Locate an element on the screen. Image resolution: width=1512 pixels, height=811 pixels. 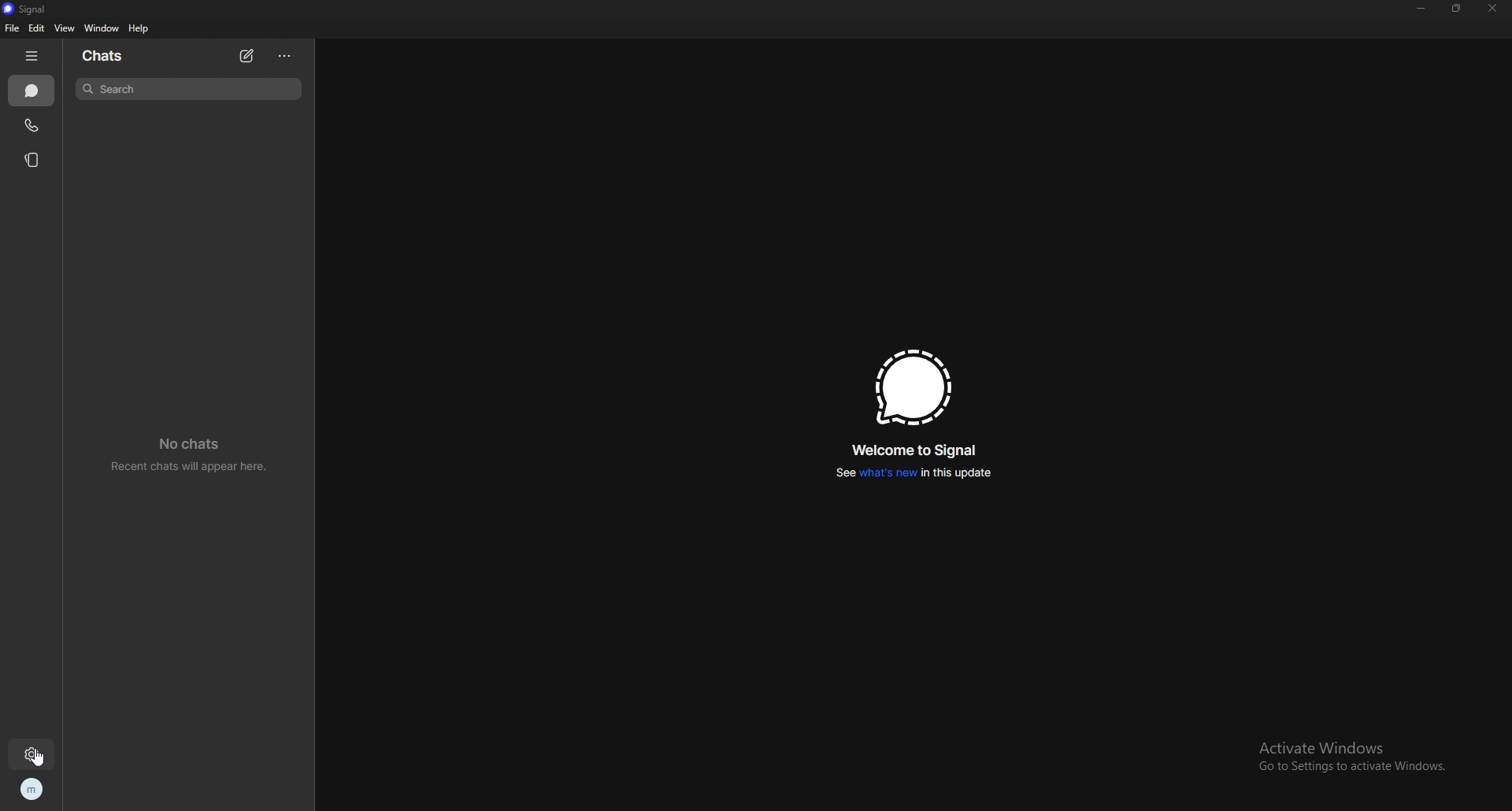
options is located at coordinates (287, 56).